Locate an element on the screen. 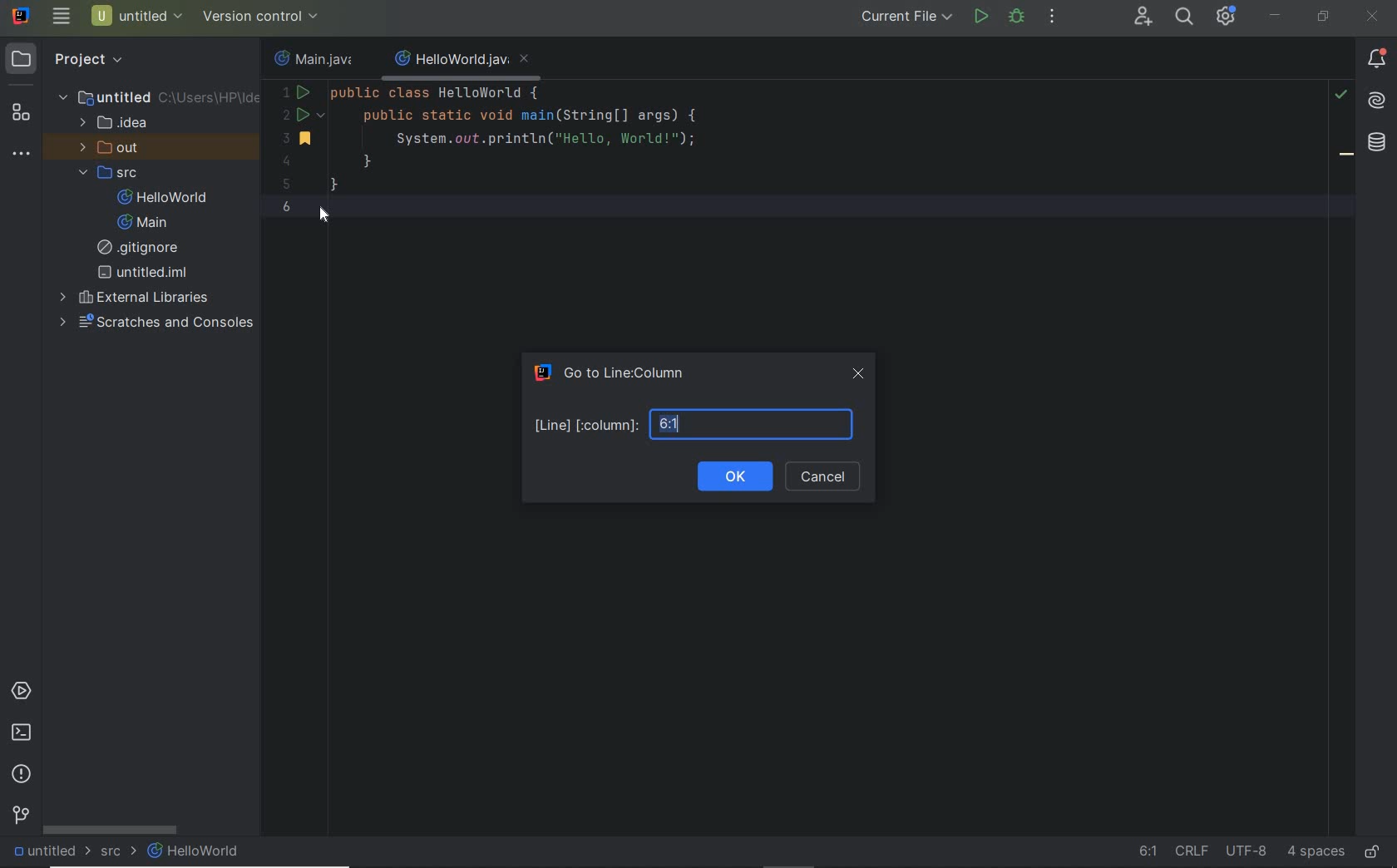 This screenshot has height=868, width=1397. HelloWorld is located at coordinates (195, 851).